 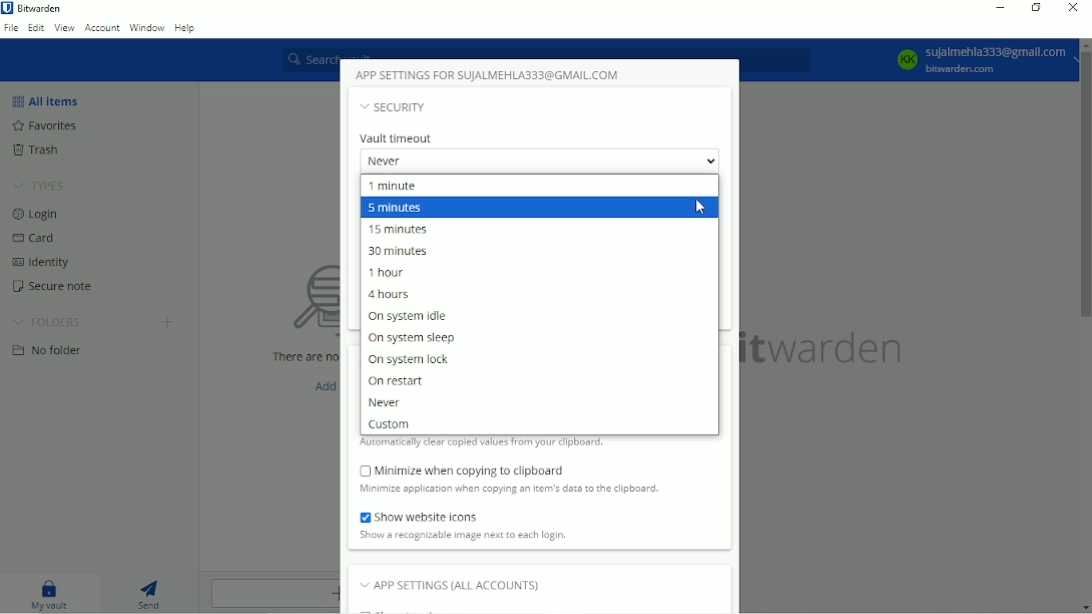 What do you see at coordinates (10, 30) in the screenshot?
I see `File` at bounding box center [10, 30].